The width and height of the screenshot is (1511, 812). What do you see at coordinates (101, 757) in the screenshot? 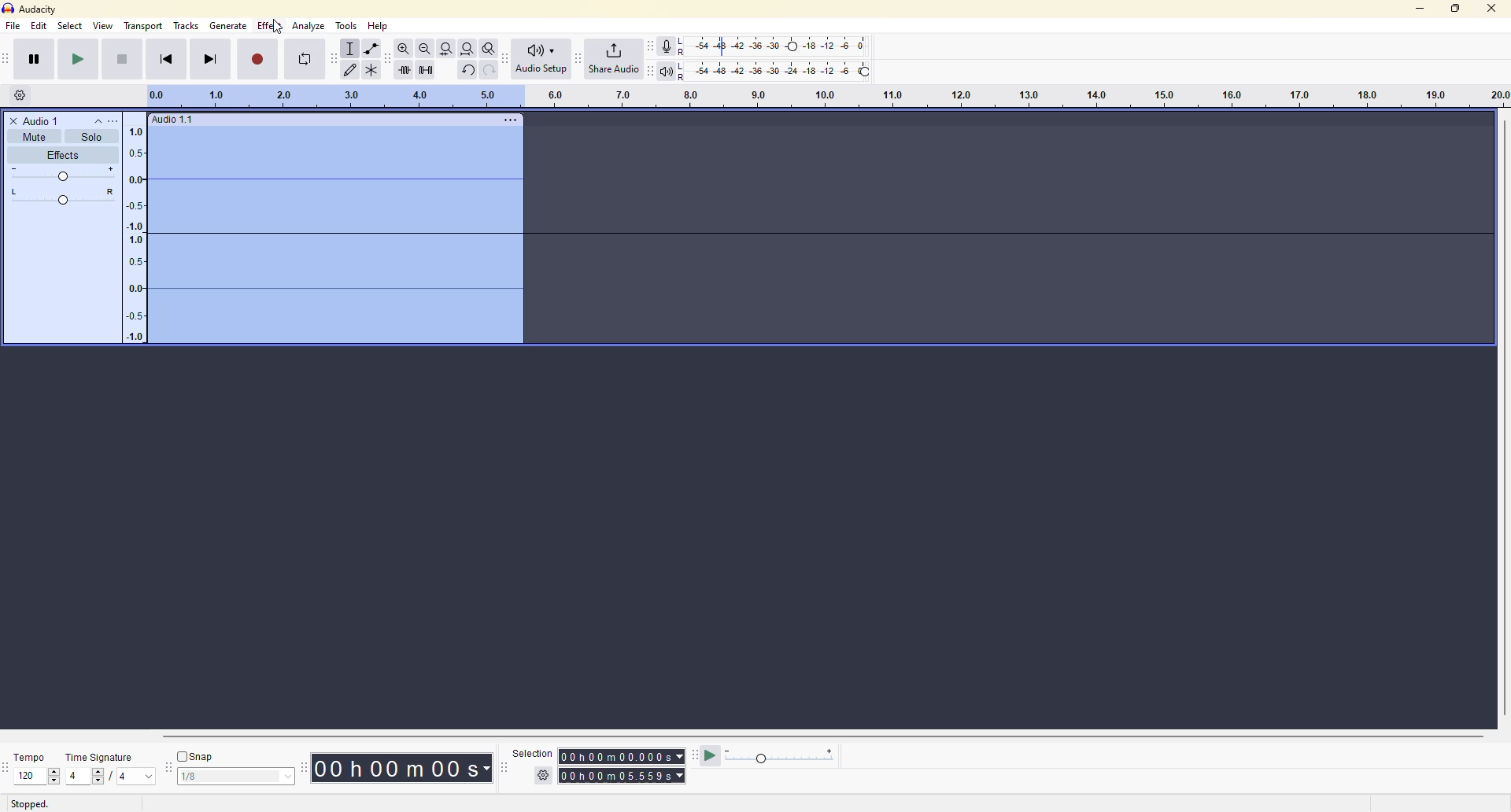
I see `time signature` at bounding box center [101, 757].